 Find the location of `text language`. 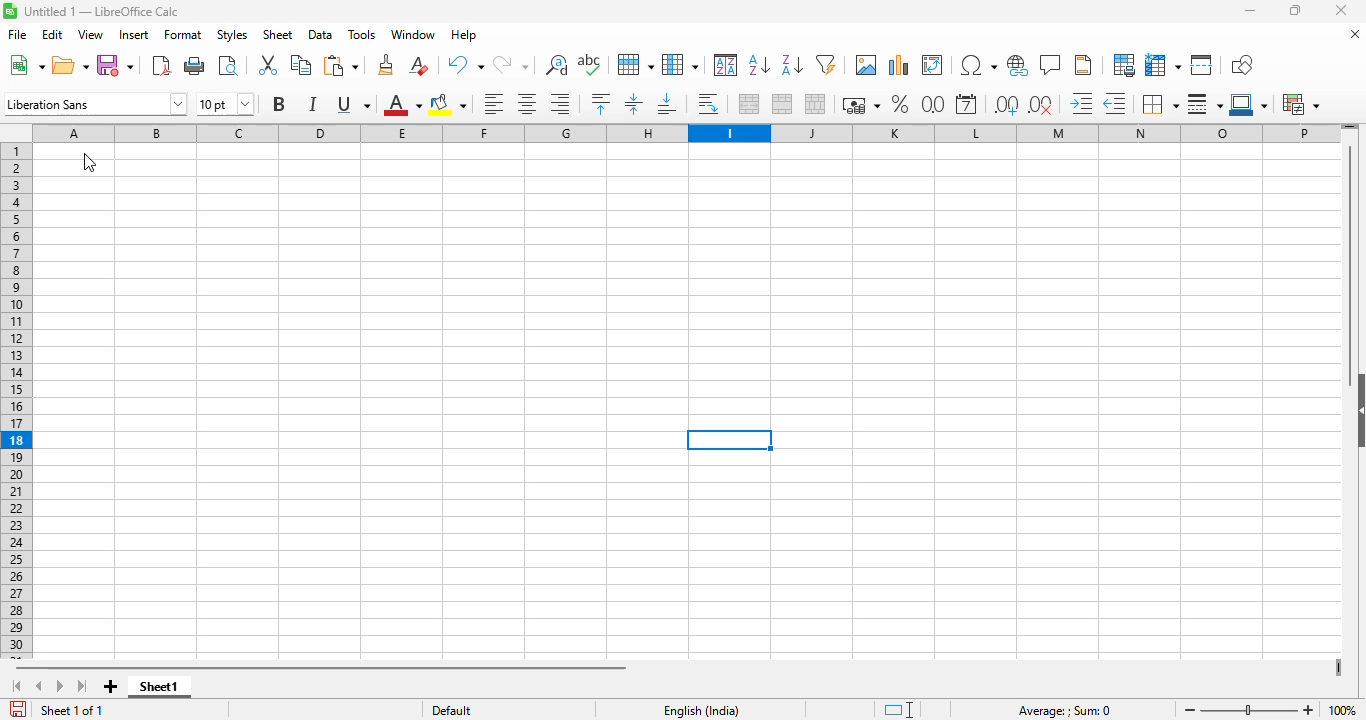

text language is located at coordinates (700, 711).